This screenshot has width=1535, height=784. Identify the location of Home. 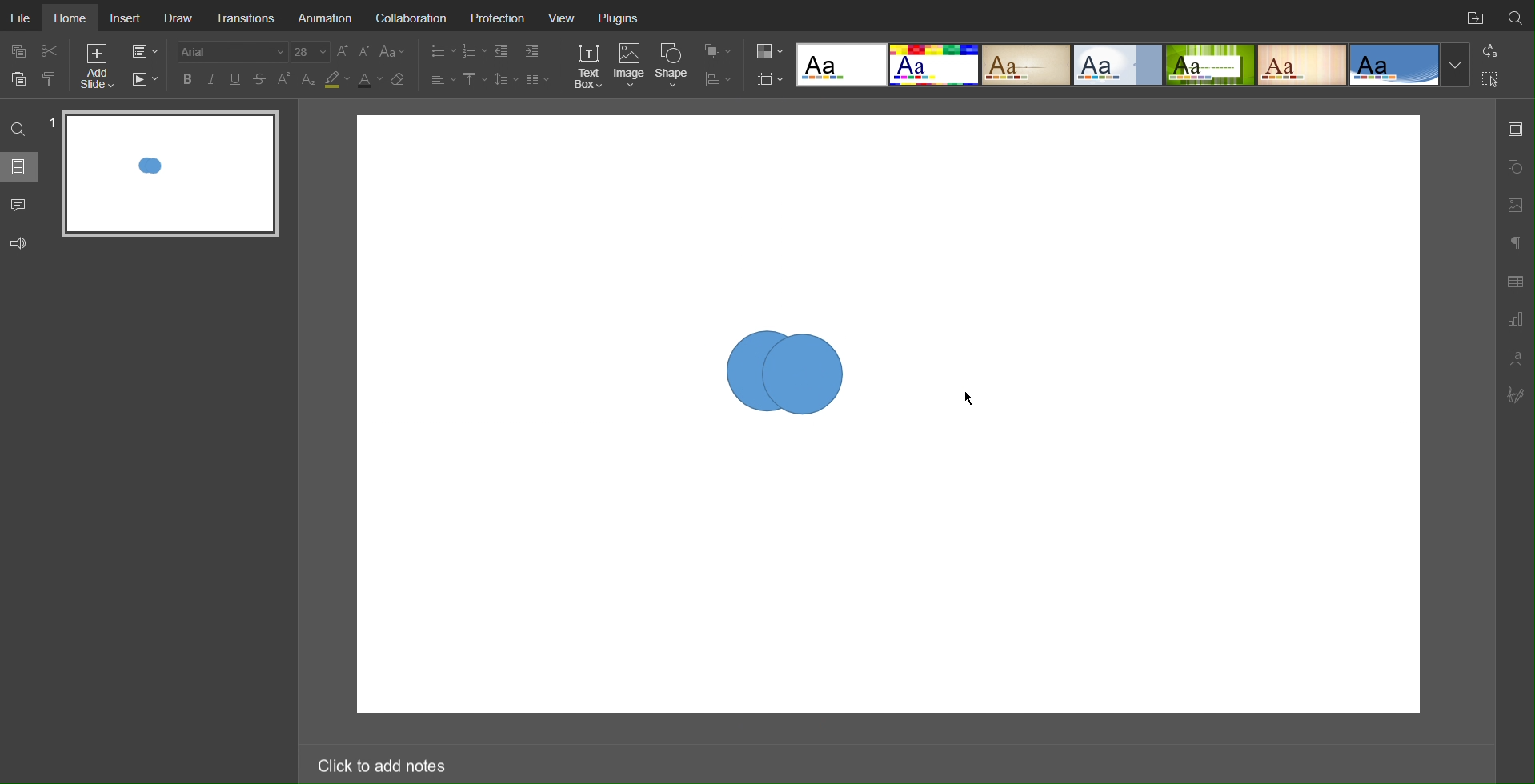
(72, 18).